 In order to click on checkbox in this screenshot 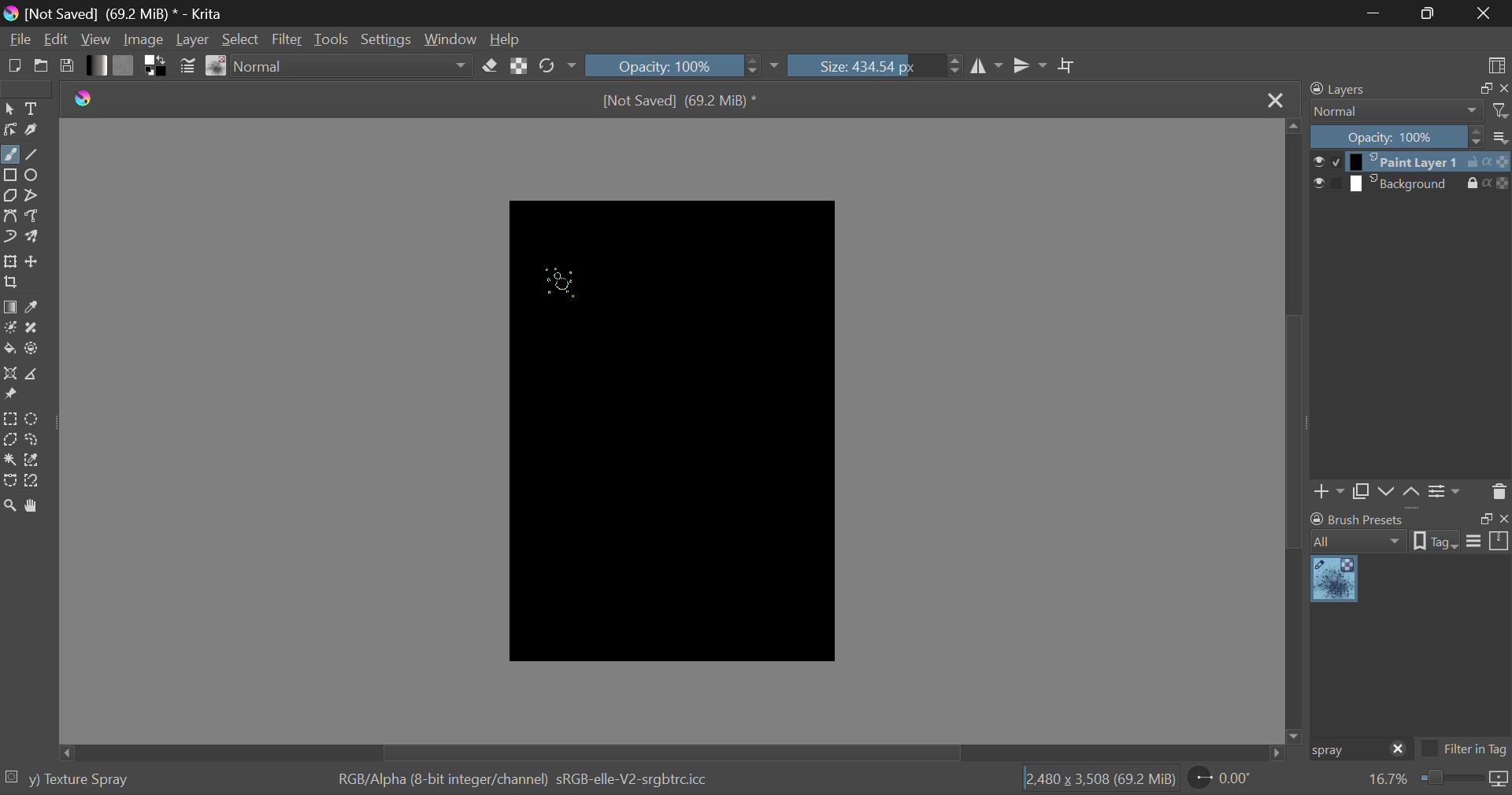, I will do `click(1327, 184)`.